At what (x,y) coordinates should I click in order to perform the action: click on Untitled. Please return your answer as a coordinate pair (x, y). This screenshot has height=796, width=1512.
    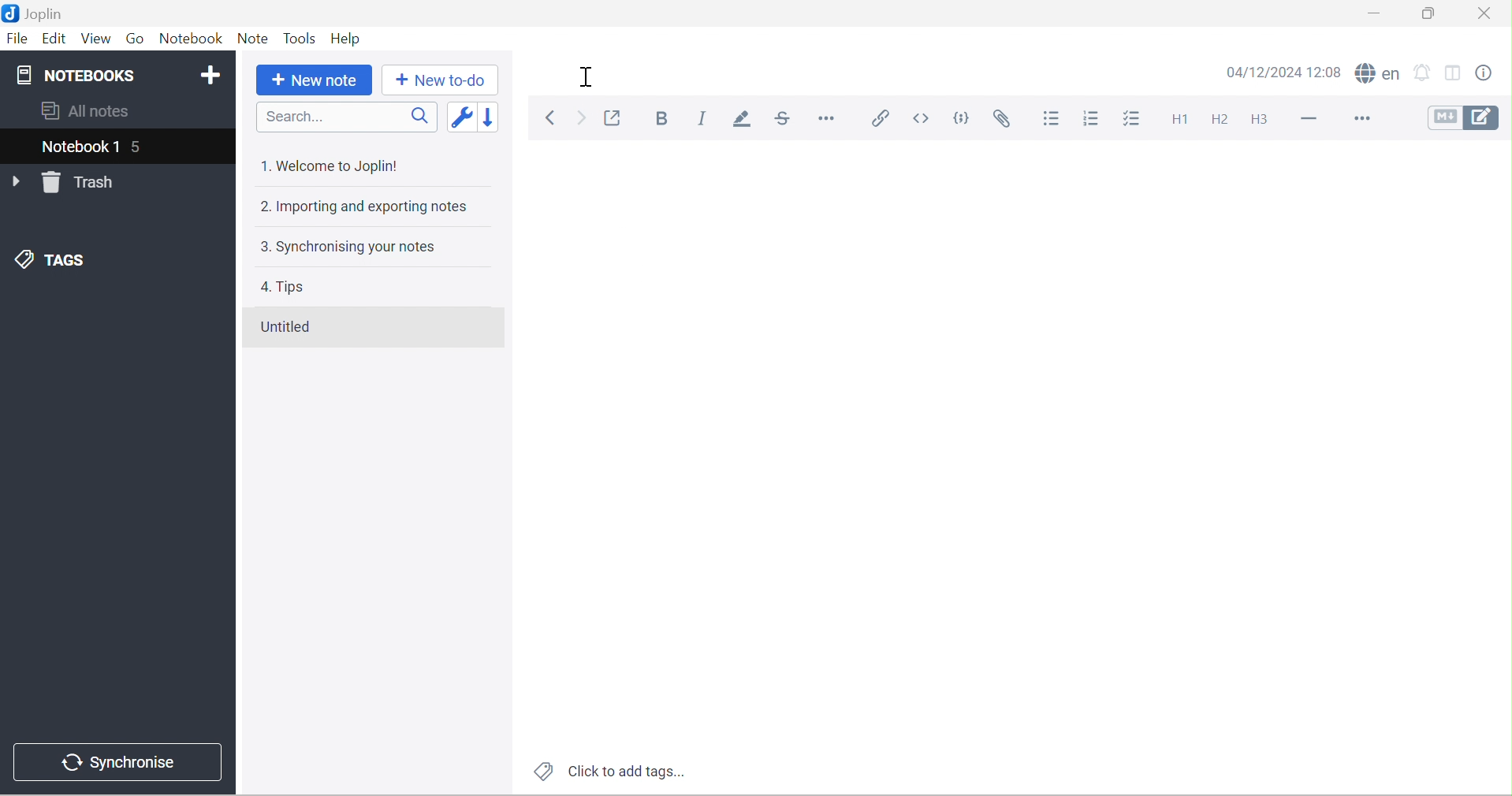
    Looking at the image, I should click on (293, 329).